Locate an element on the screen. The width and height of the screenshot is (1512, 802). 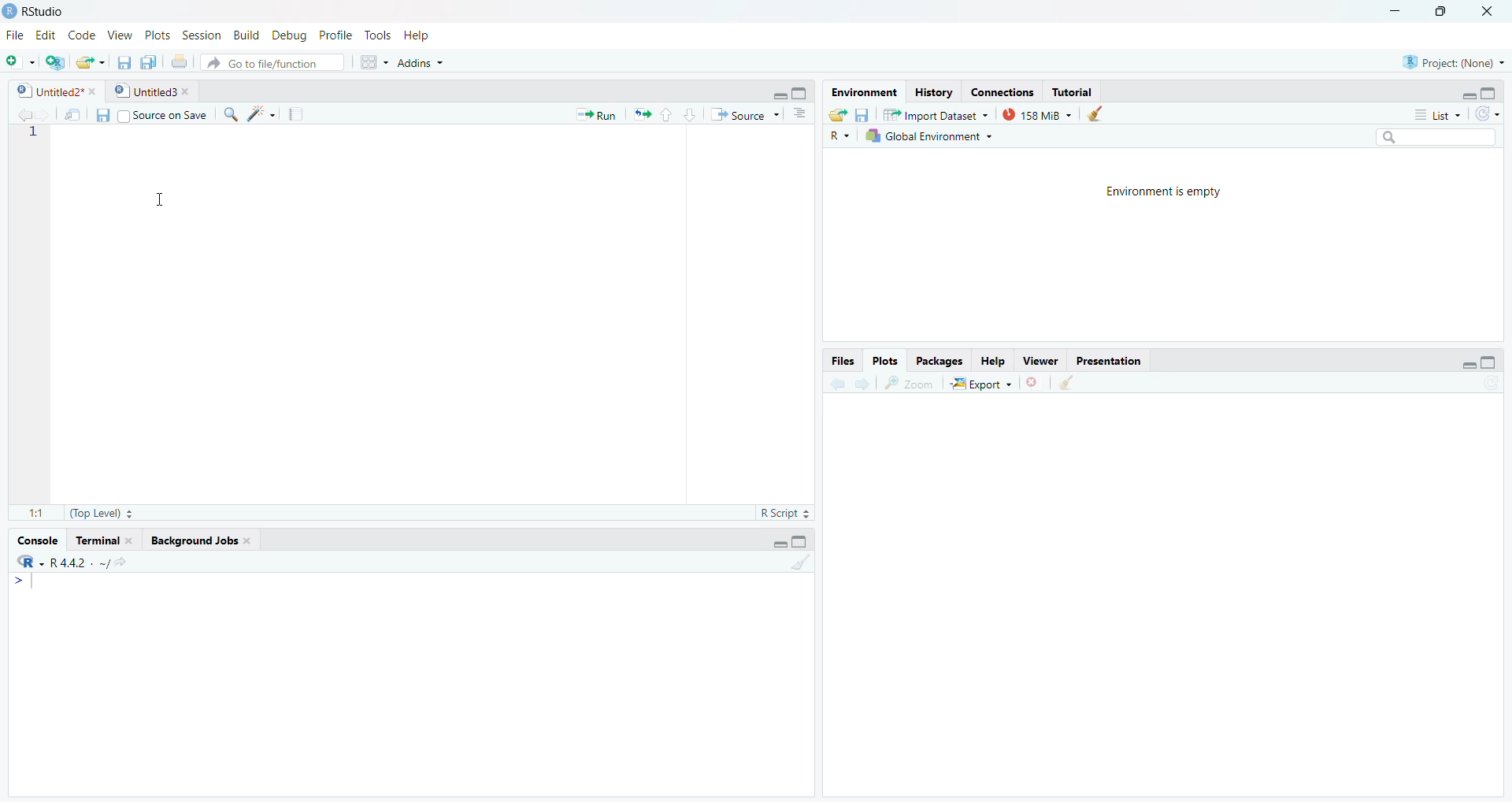
Workspace pane is located at coordinates (370, 64).